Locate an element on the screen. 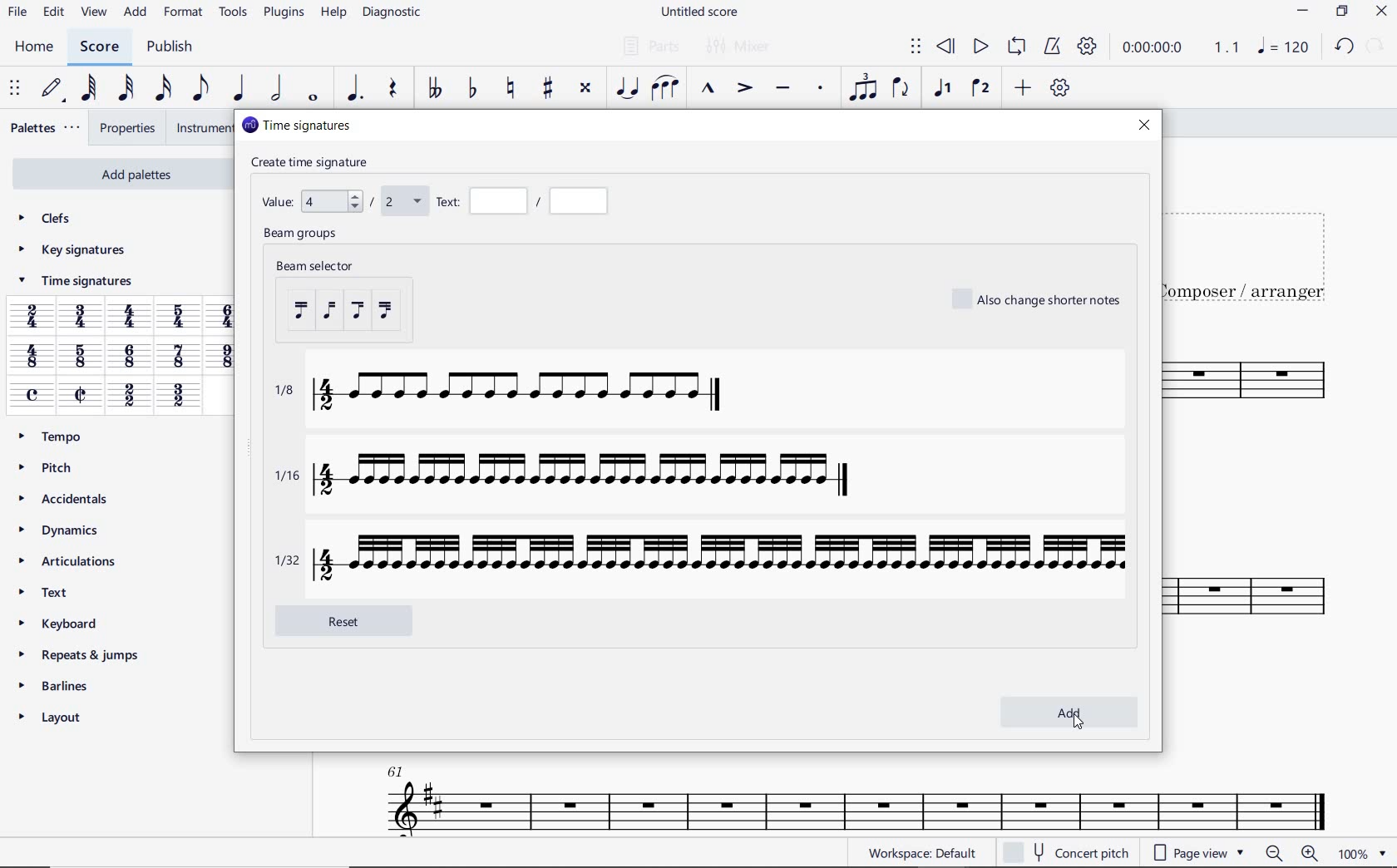 The height and width of the screenshot is (868, 1397). zoom in or zoom out is located at coordinates (1291, 854).